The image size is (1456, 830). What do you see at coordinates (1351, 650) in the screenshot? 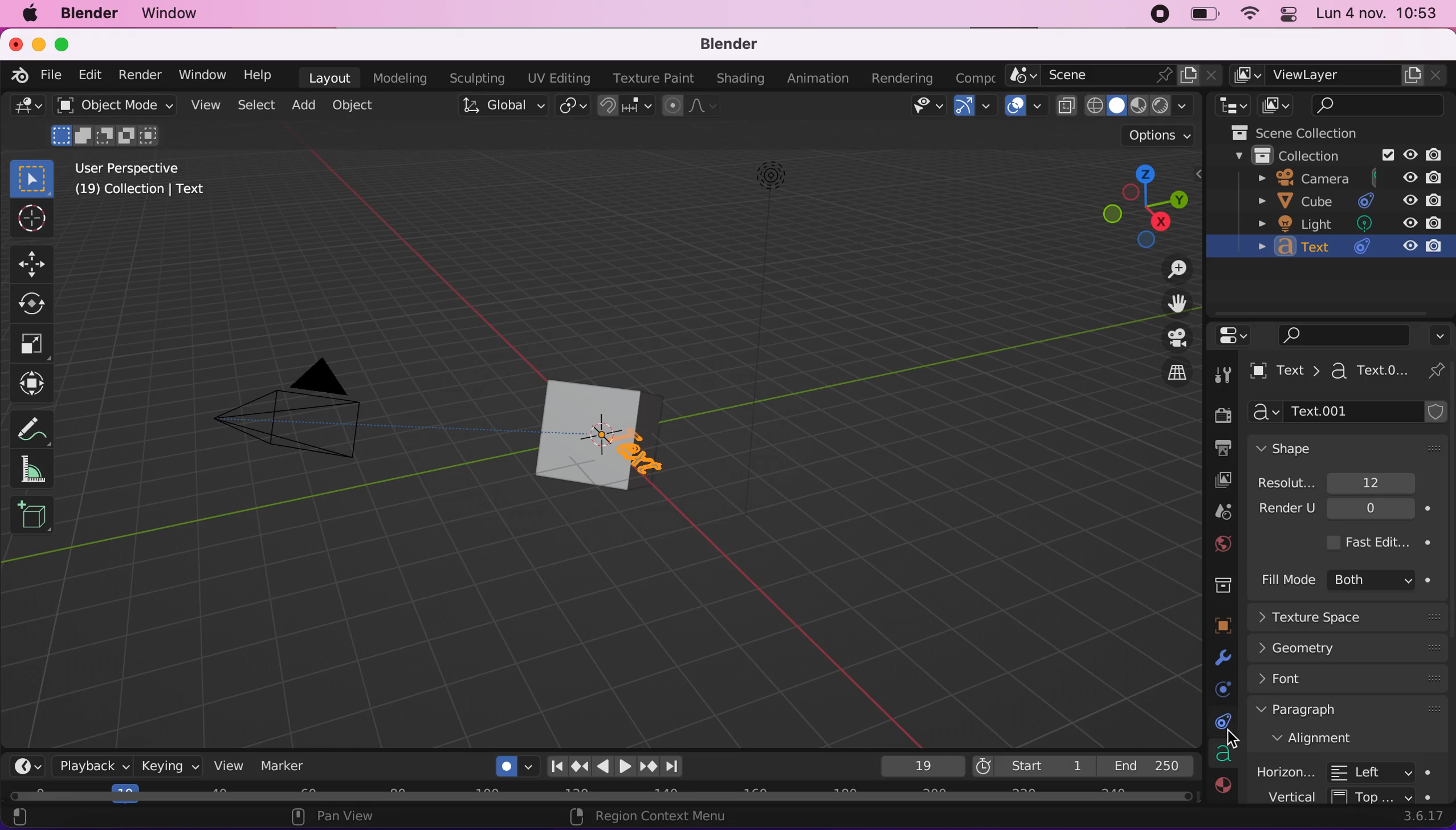
I see `geometry` at bounding box center [1351, 650].